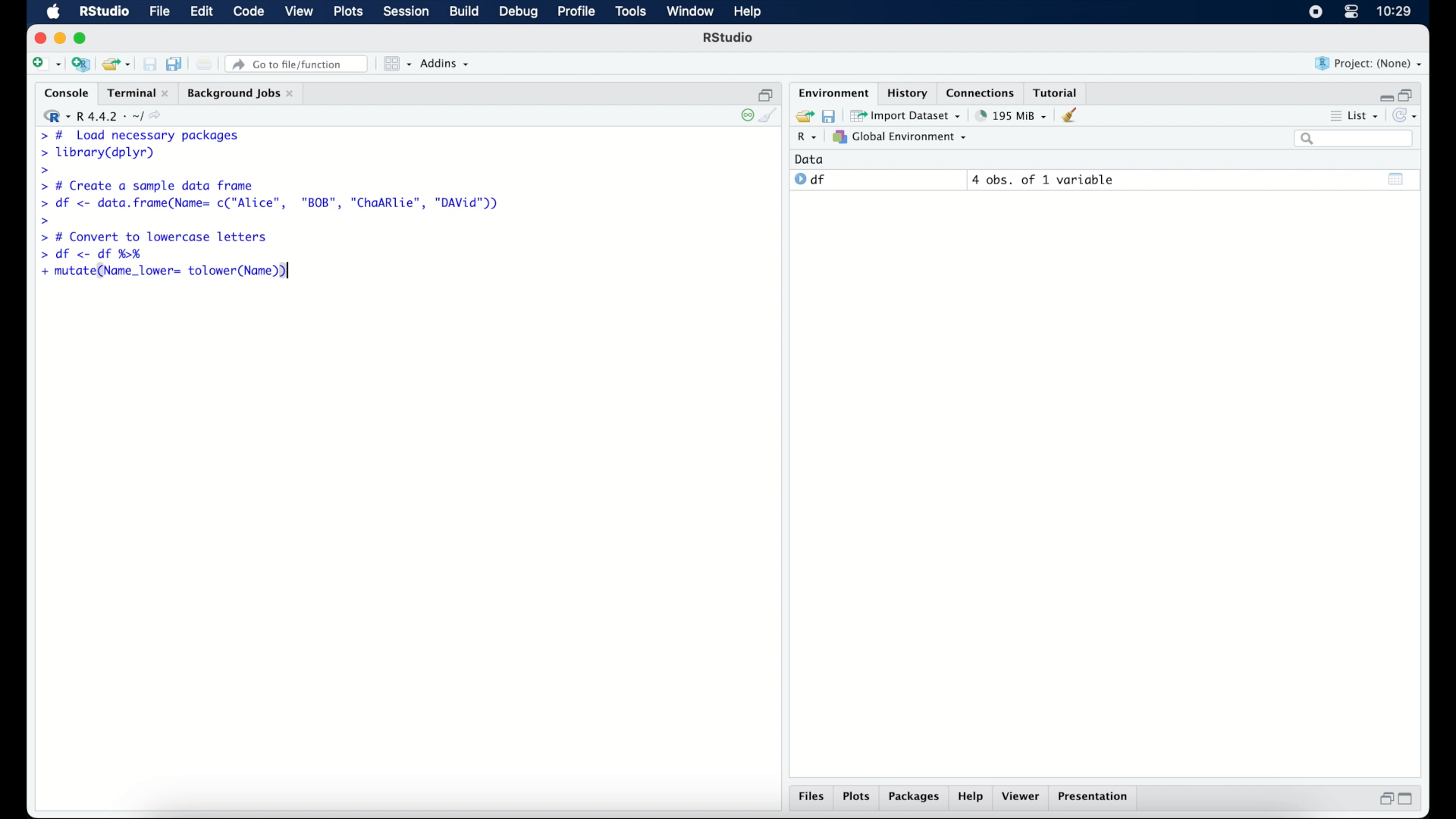 This screenshot has width=1456, height=819. Describe the element at coordinates (1059, 92) in the screenshot. I see `tutorial` at that location.